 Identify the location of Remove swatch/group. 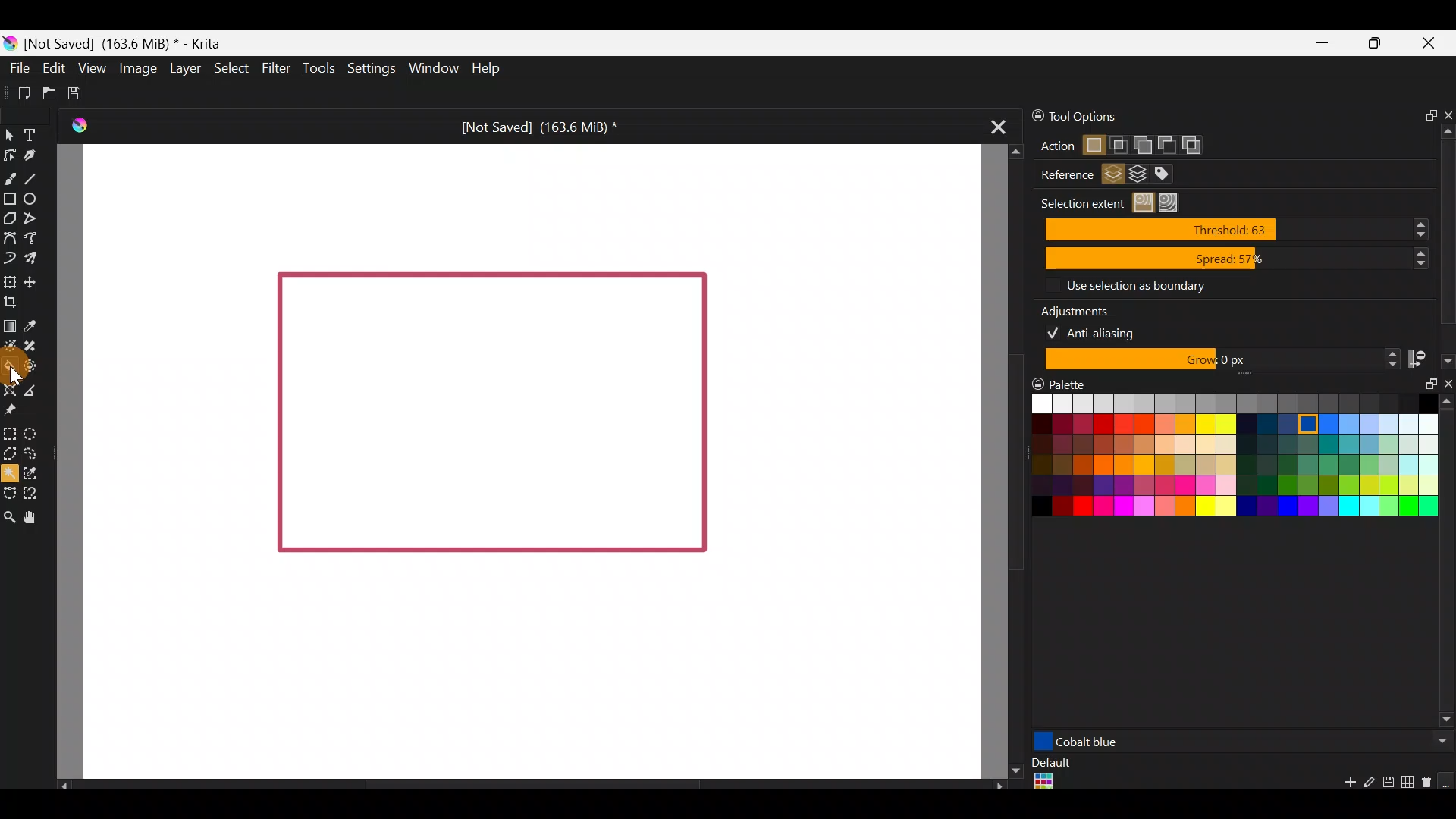
(1429, 787).